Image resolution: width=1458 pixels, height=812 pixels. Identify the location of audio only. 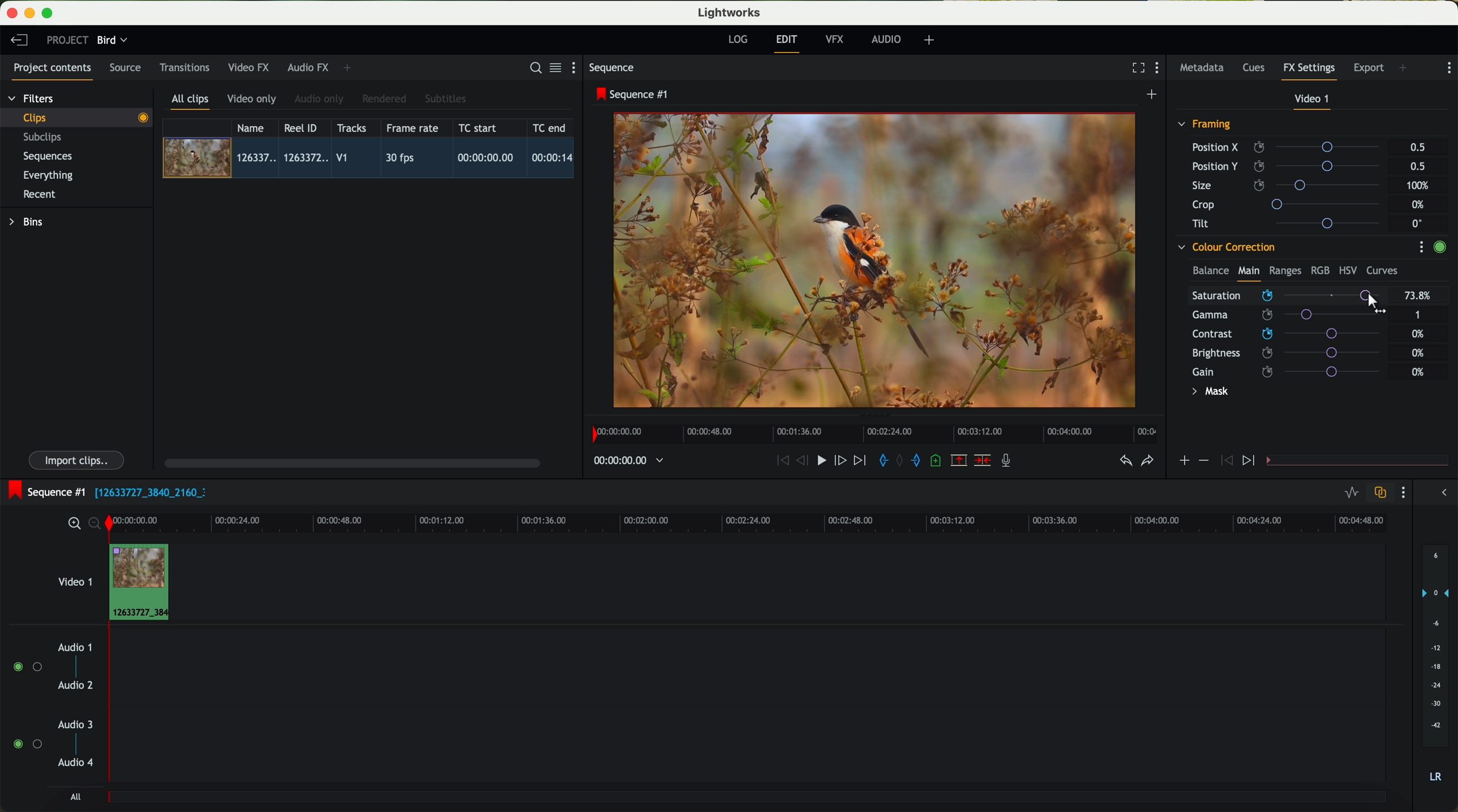
(320, 99).